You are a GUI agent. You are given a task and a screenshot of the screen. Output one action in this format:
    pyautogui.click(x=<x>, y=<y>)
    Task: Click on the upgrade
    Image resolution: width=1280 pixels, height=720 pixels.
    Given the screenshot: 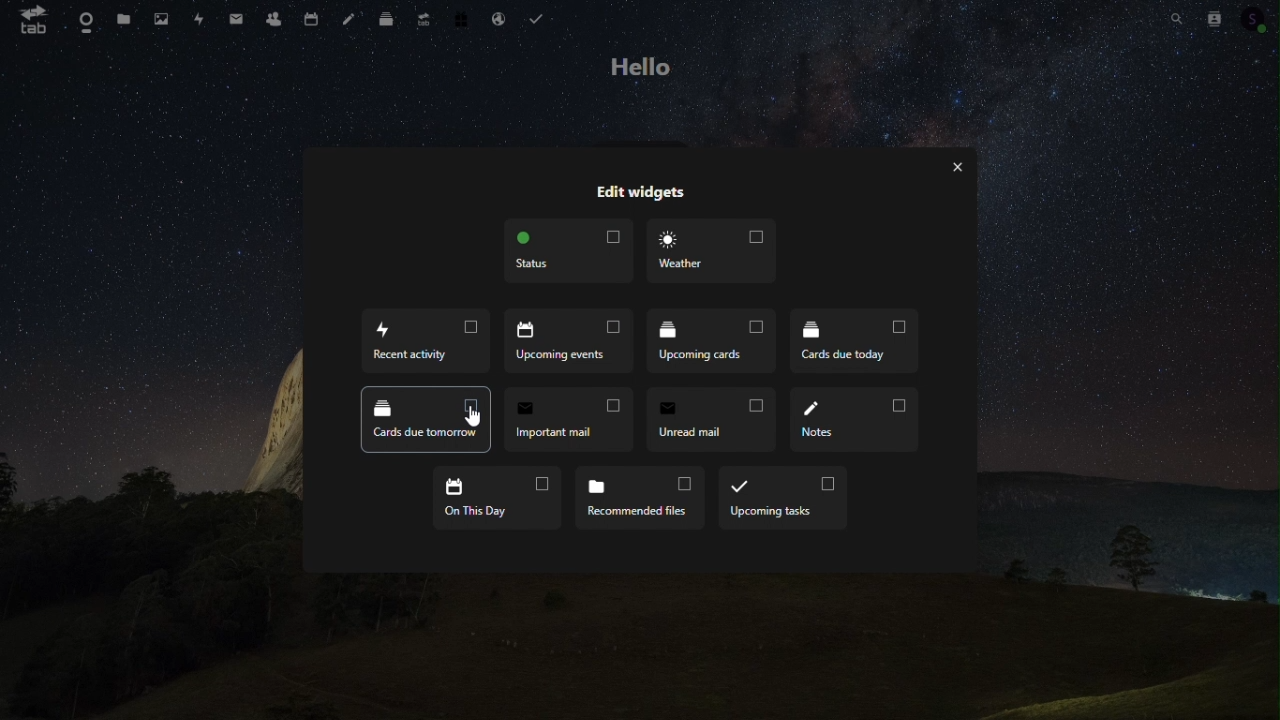 What is the action you would take?
    pyautogui.click(x=420, y=17)
    